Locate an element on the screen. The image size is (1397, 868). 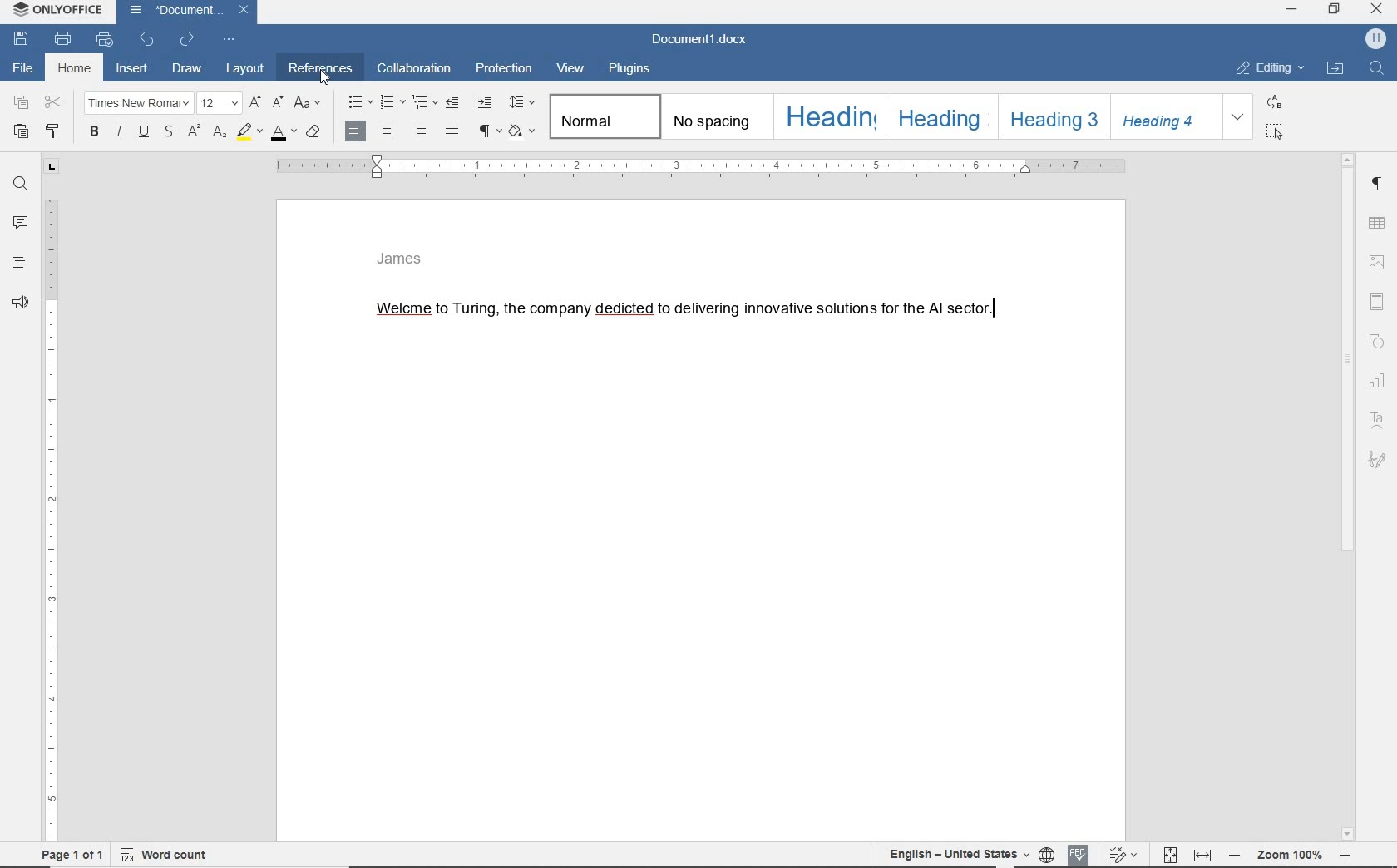
REPLACE is located at coordinates (1276, 103).